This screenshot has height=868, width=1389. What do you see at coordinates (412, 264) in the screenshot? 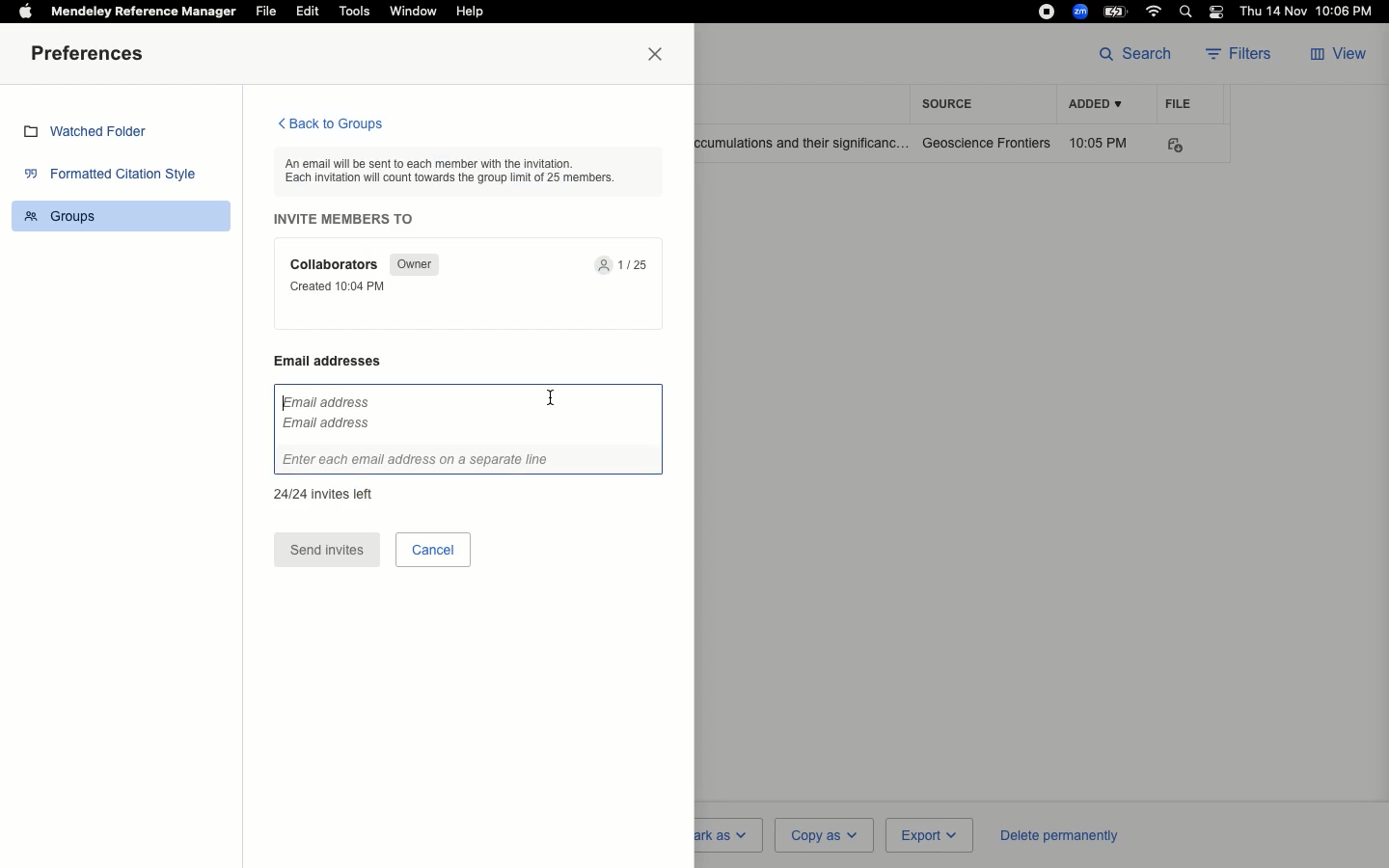
I see `Owner` at bounding box center [412, 264].